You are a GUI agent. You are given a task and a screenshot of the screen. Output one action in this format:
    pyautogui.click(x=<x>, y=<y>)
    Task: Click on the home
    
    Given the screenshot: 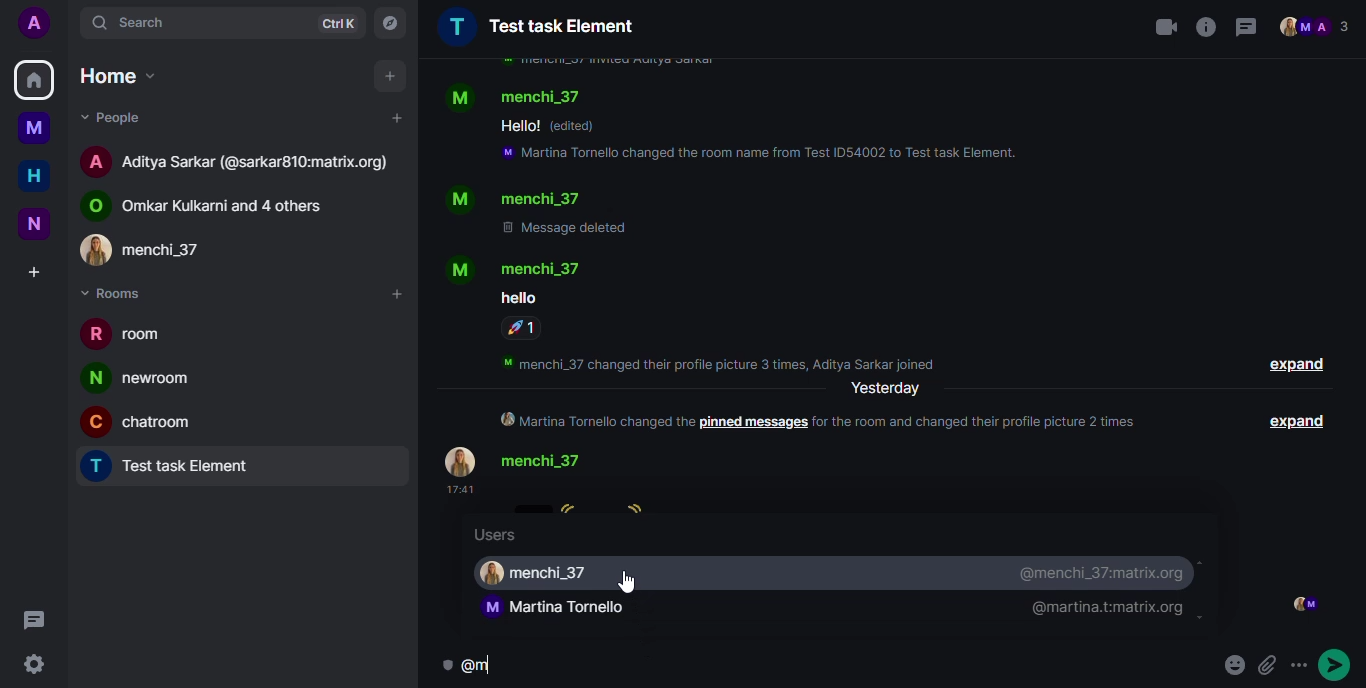 What is the action you would take?
    pyautogui.click(x=34, y=177)
    